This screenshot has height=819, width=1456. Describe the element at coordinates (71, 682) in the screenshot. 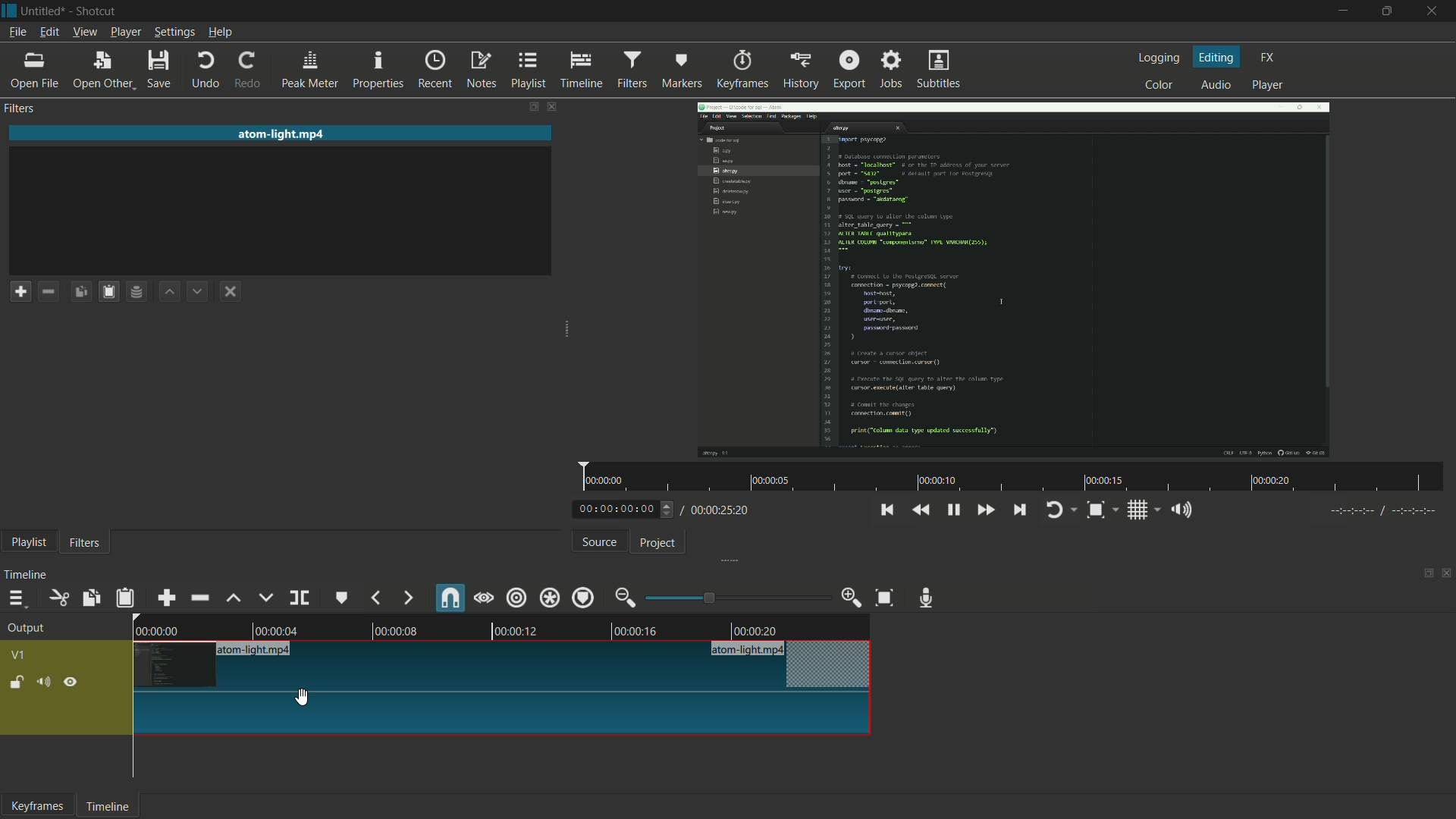

I see `hide` at that location.